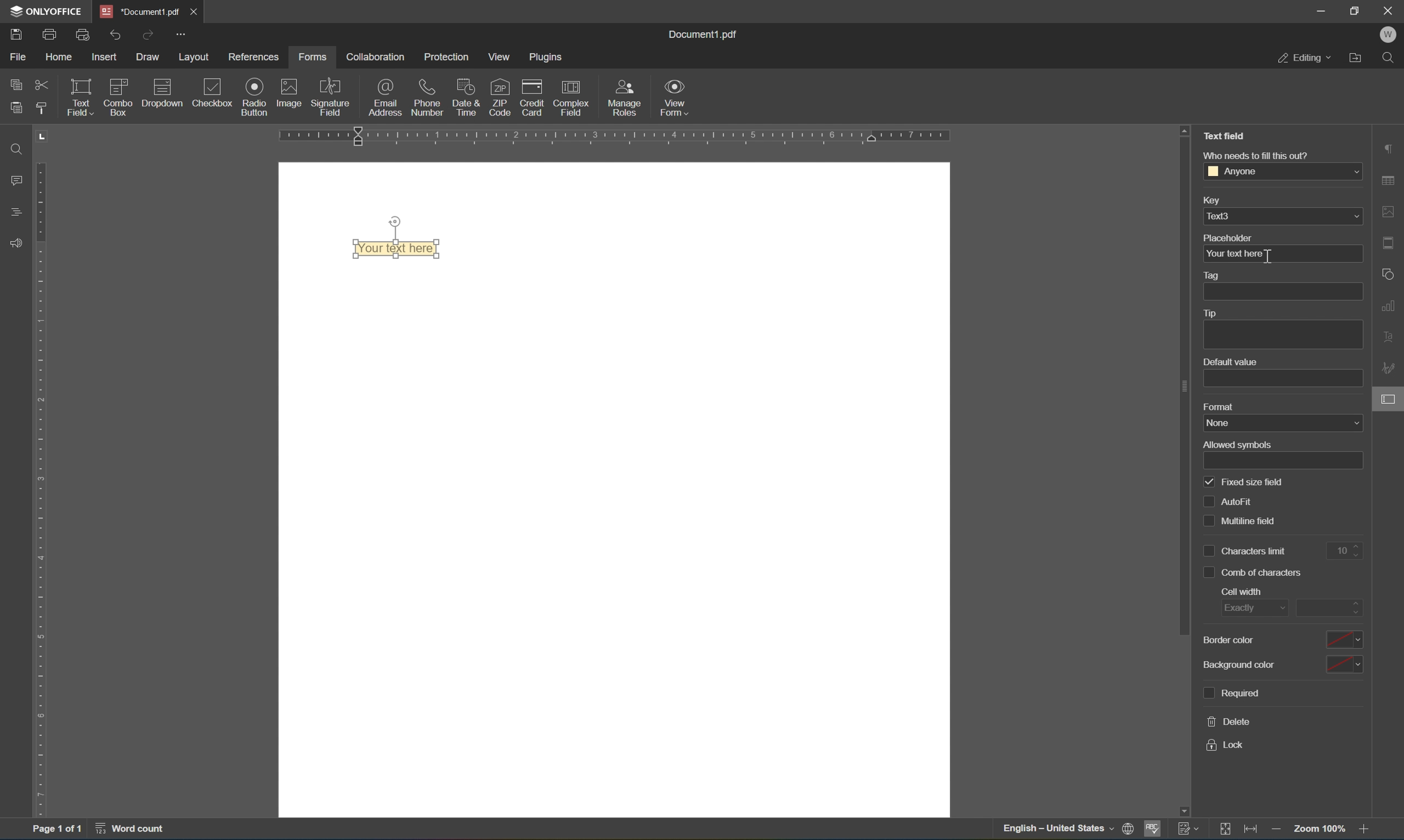  What do you see at coordinates (1253, 832) in the screenshot?
I see `fit to width` at bounding box center [1253, 832].